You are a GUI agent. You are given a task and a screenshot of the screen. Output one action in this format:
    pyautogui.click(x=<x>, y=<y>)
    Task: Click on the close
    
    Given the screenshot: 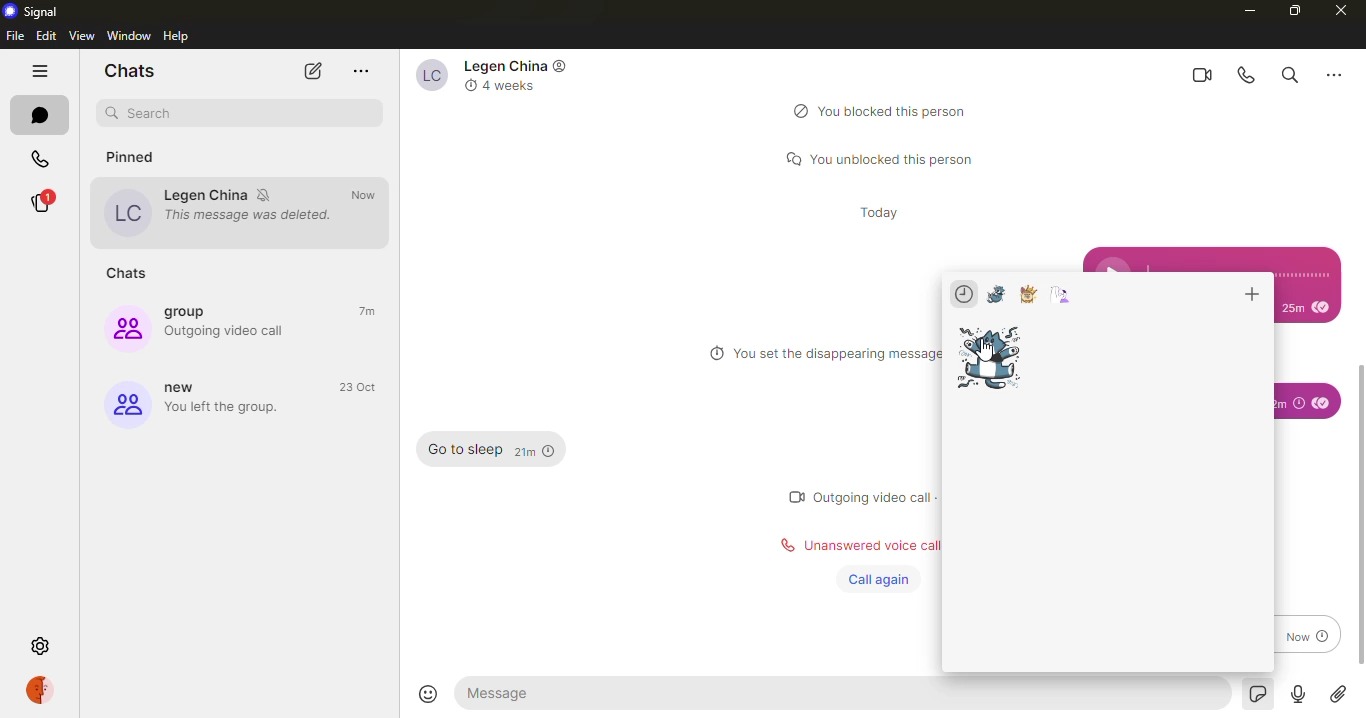 What is the action you would take?
    pyautogui.click(x=1342, y=13)
    